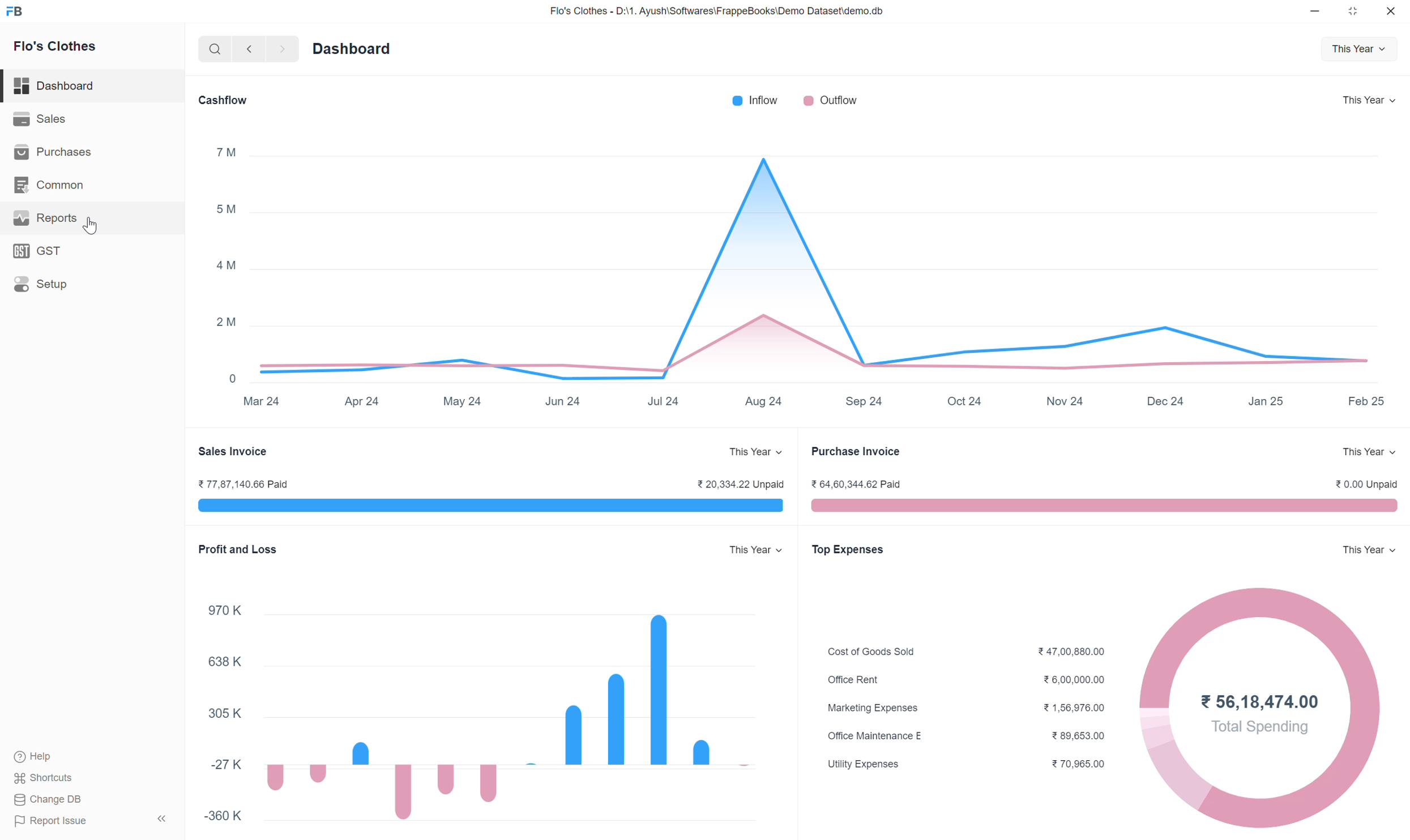 Image resolution: width=1410 pixels, height=840 pixels. What do you see at coordinates (755, 551) in the screenshot?
I see `this year` at bounding box center [755, 551].